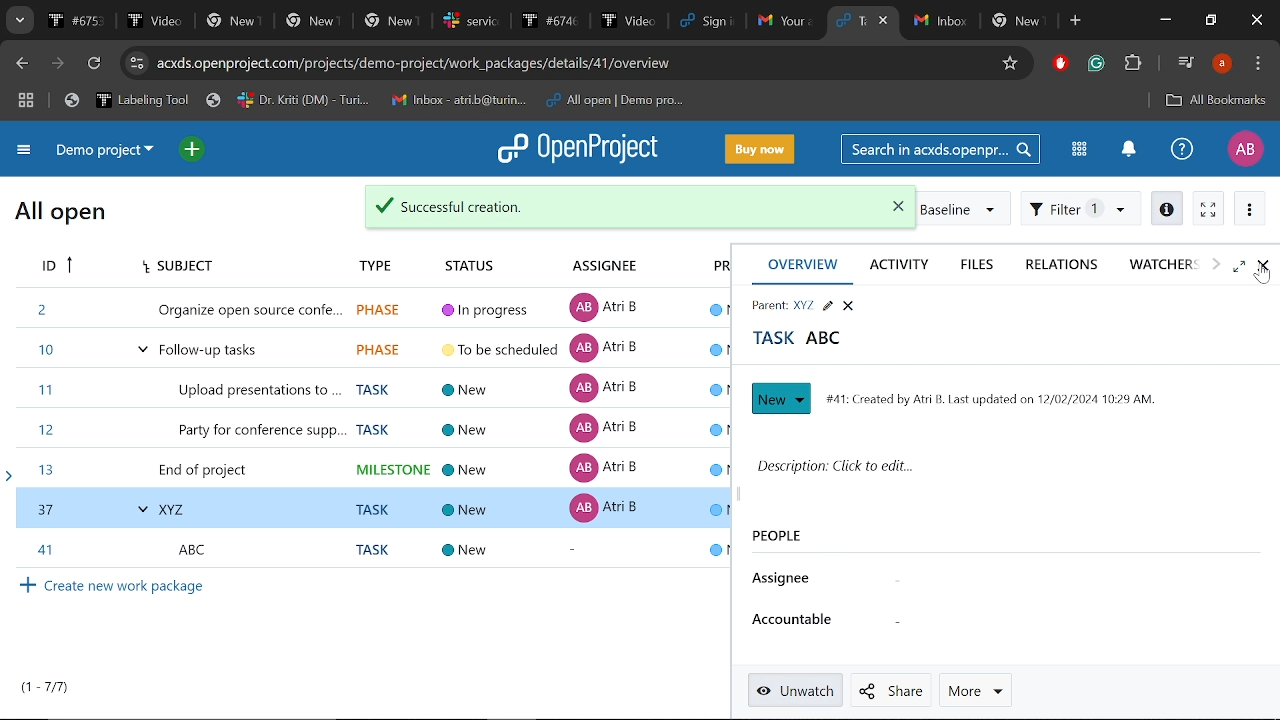  I want to click on Create work package, so click(114, 546).